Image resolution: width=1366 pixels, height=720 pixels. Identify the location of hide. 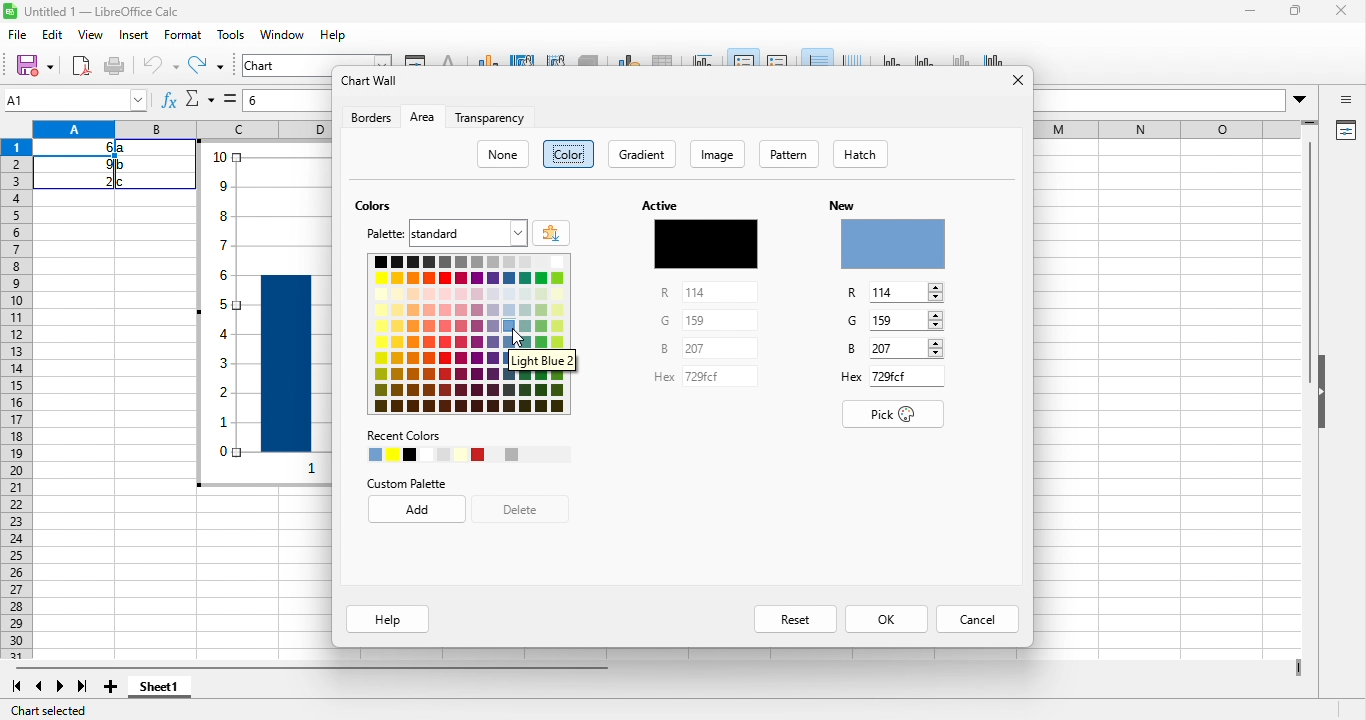
(1326, 417).